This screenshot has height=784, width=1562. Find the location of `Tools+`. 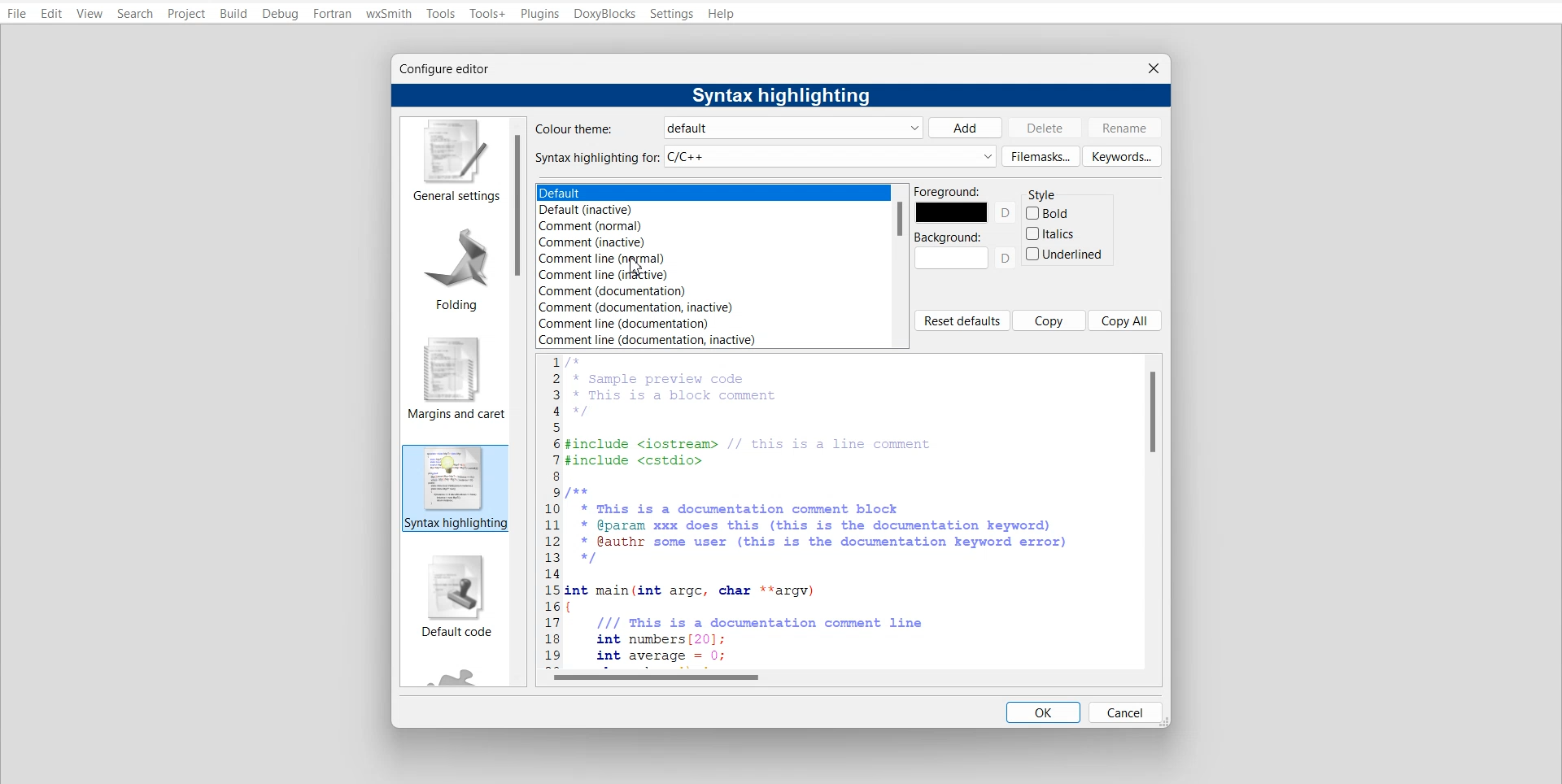

Tools+ is located at coordinates (489, 12).